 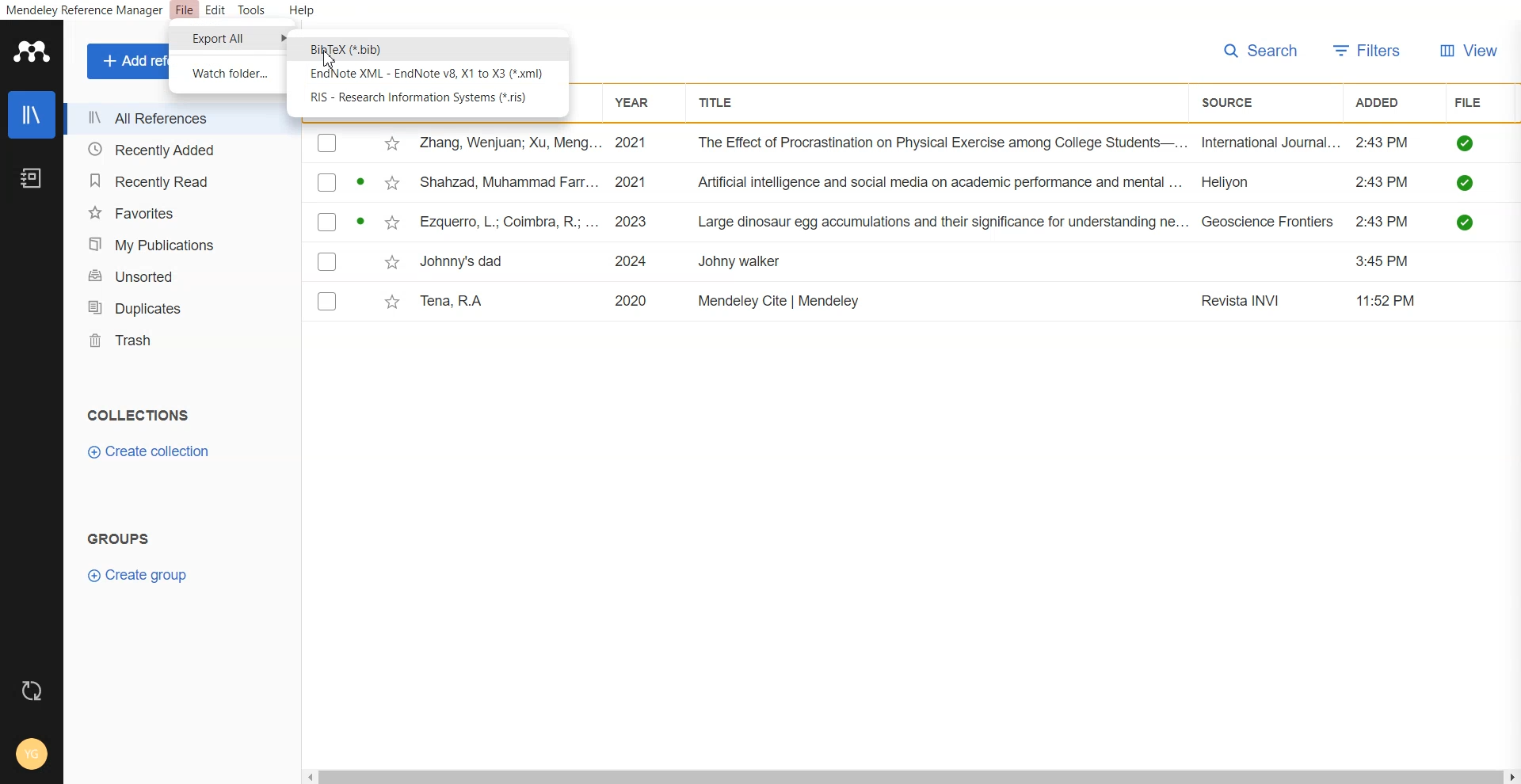 What do you see at coordinates (721, 102) in the screenshot?
I see `Title` at bounding box center [721, 102].